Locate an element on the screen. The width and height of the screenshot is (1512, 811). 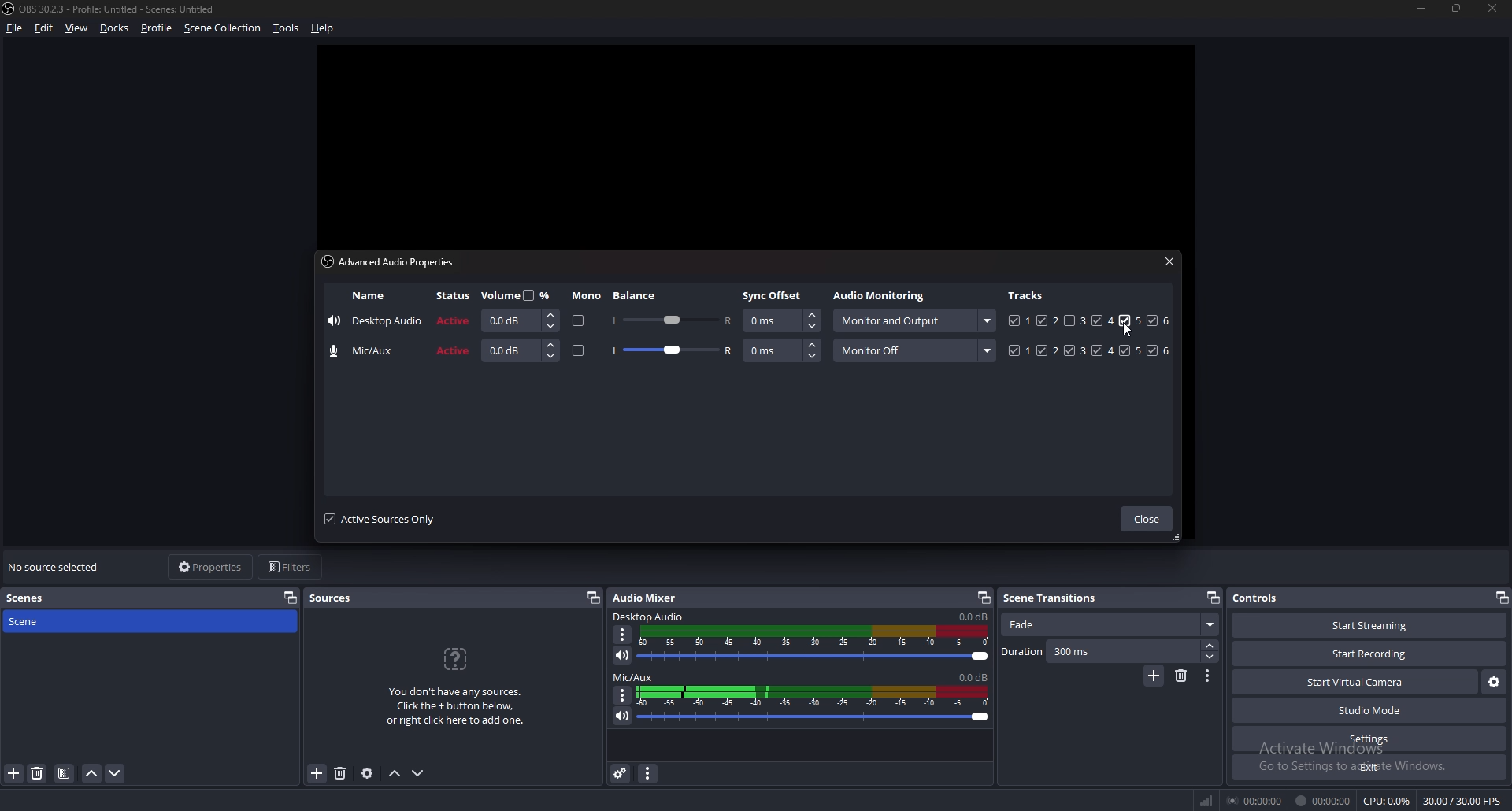
30.00 / 30.00 FPS is located at coordinates (1461, 801).